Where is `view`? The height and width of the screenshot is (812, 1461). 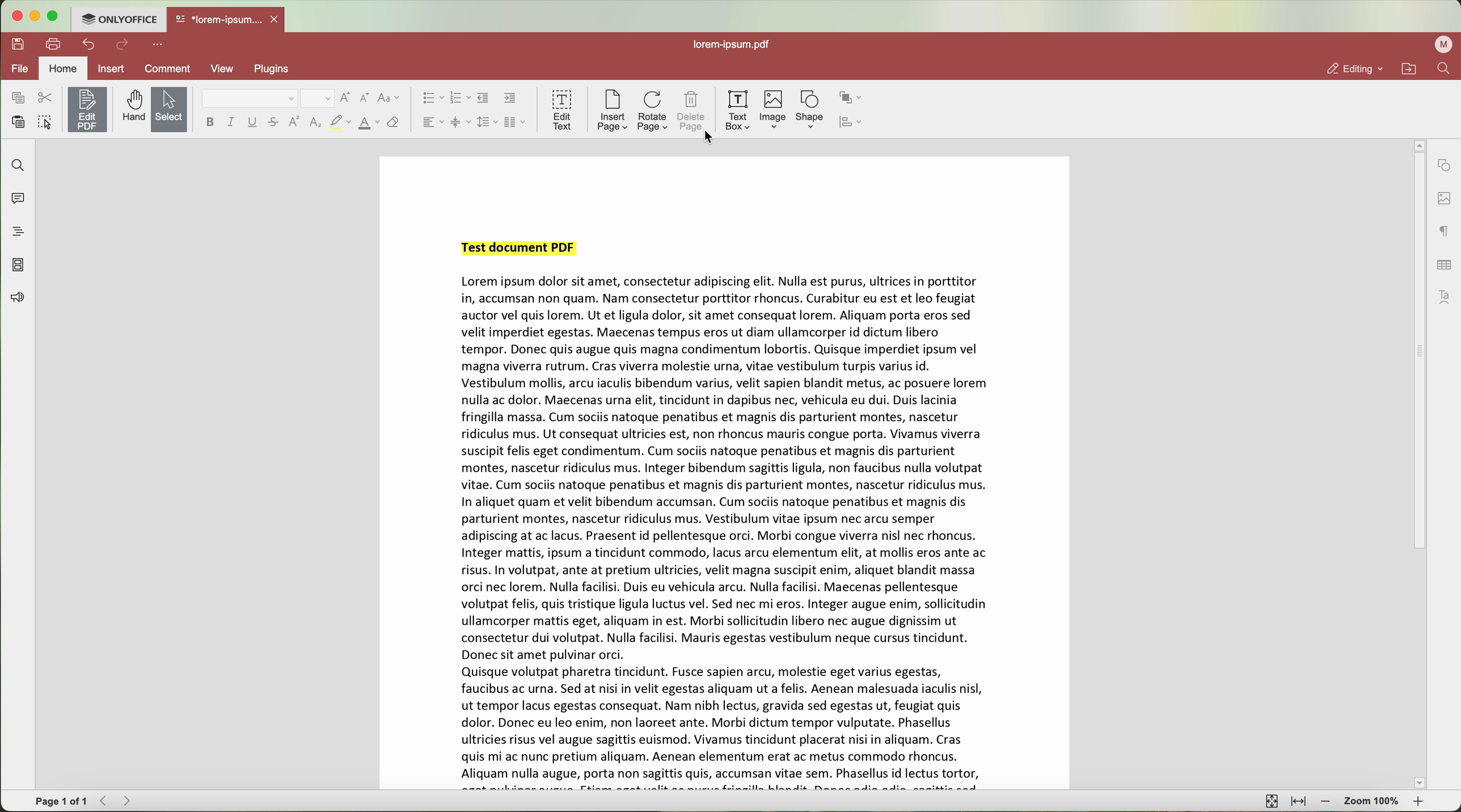 view is located at coordinates (228, 69).